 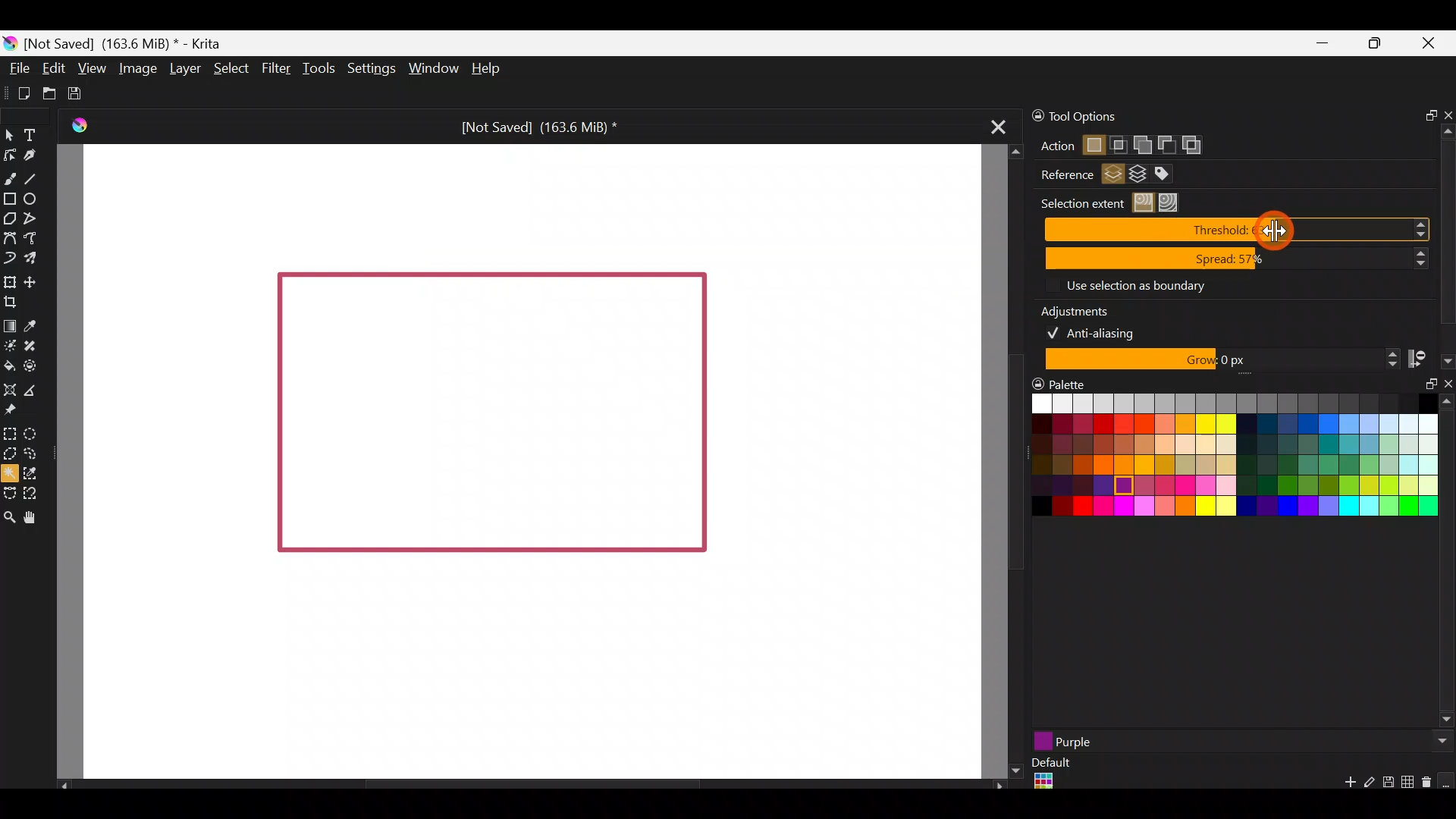 What do you see at coordinates (10, 326) in the screenshot?
I see `Draw a gradient` at bounding box center [10, 326].